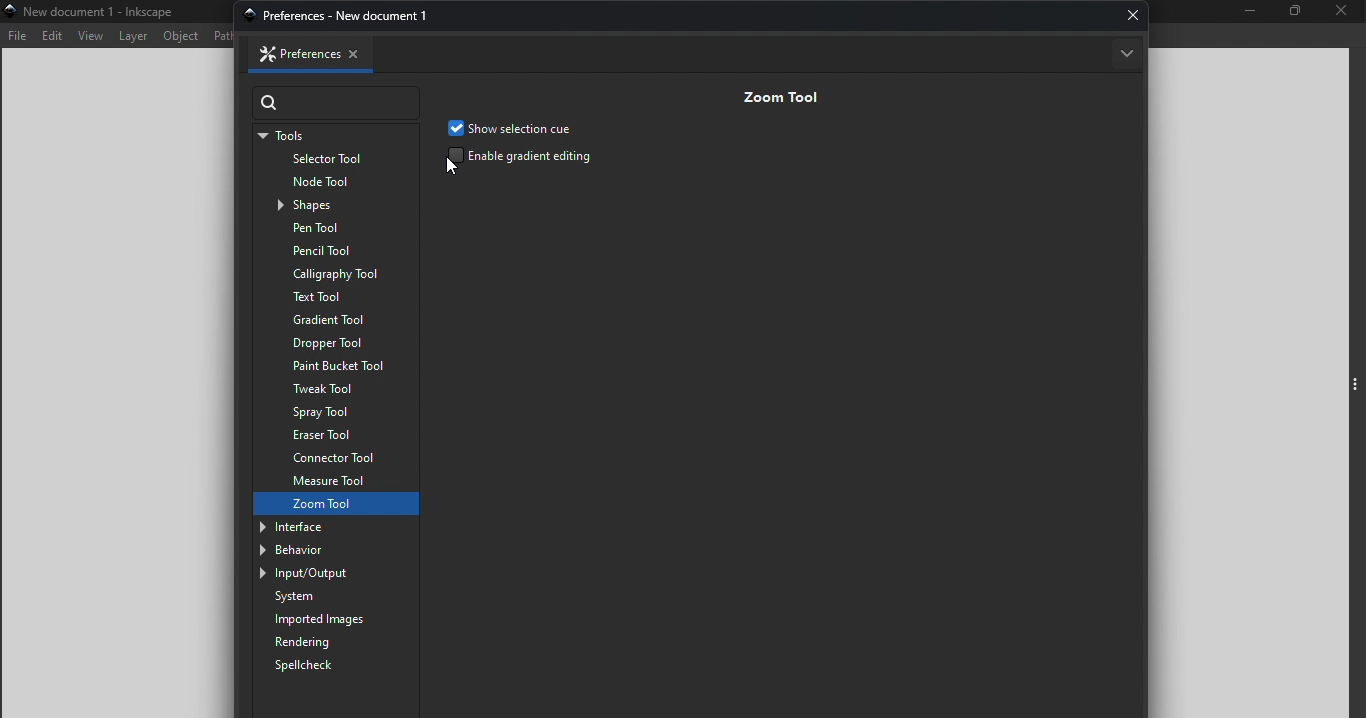  I want to click on Layer, so click(131, 38).